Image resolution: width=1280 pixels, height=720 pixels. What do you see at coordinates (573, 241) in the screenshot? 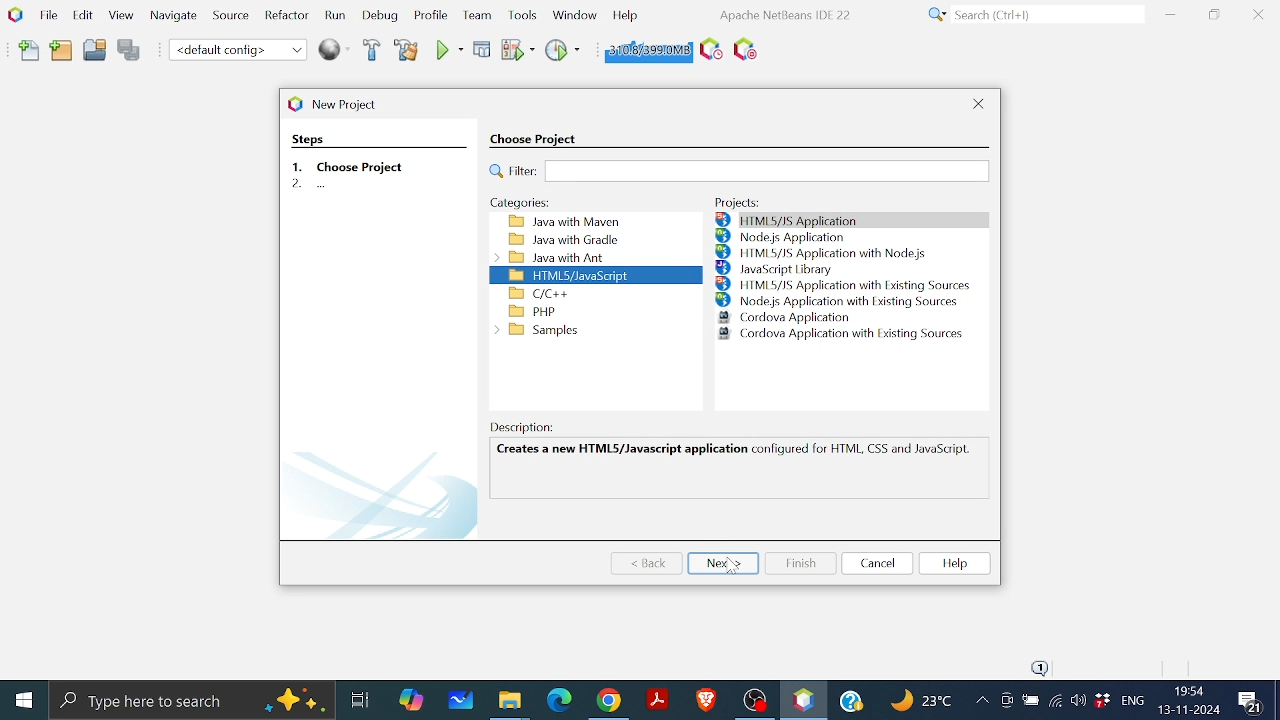
I see `Java with Gradle` at bounding box center [573, 241].